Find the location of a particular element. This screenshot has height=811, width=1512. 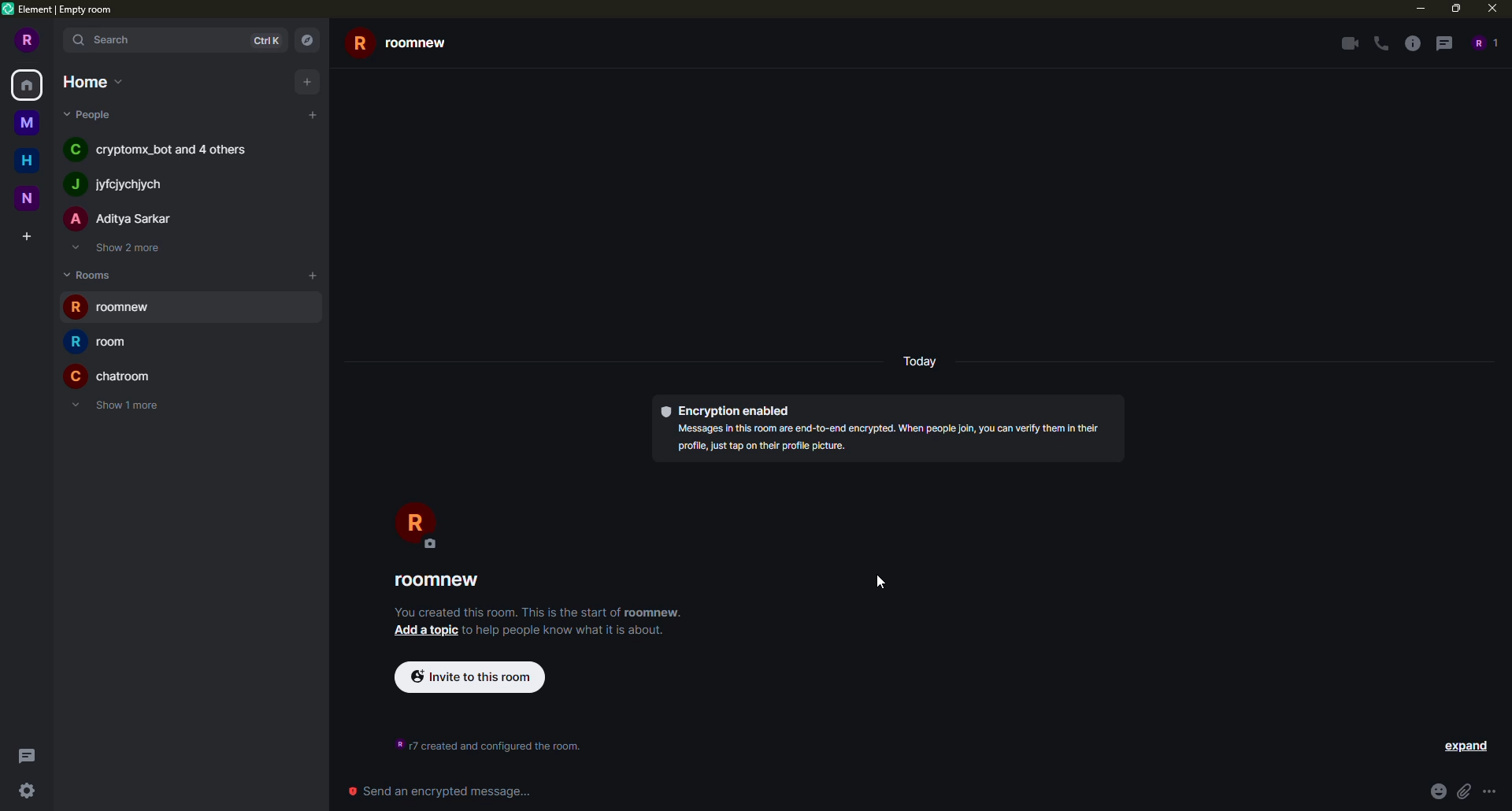

profile is located at coordinates (29, 39).